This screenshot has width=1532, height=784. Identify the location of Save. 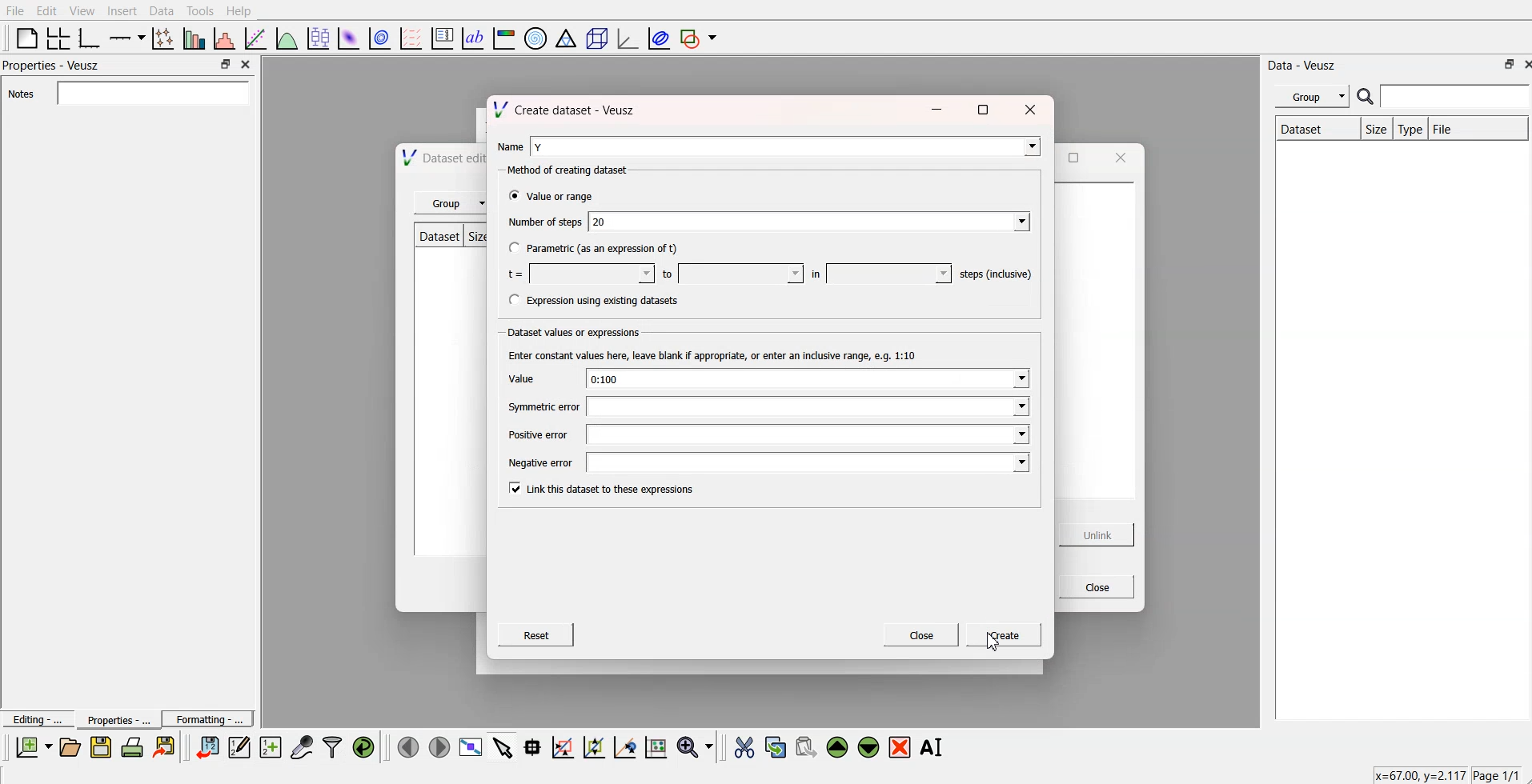
(101, 747).